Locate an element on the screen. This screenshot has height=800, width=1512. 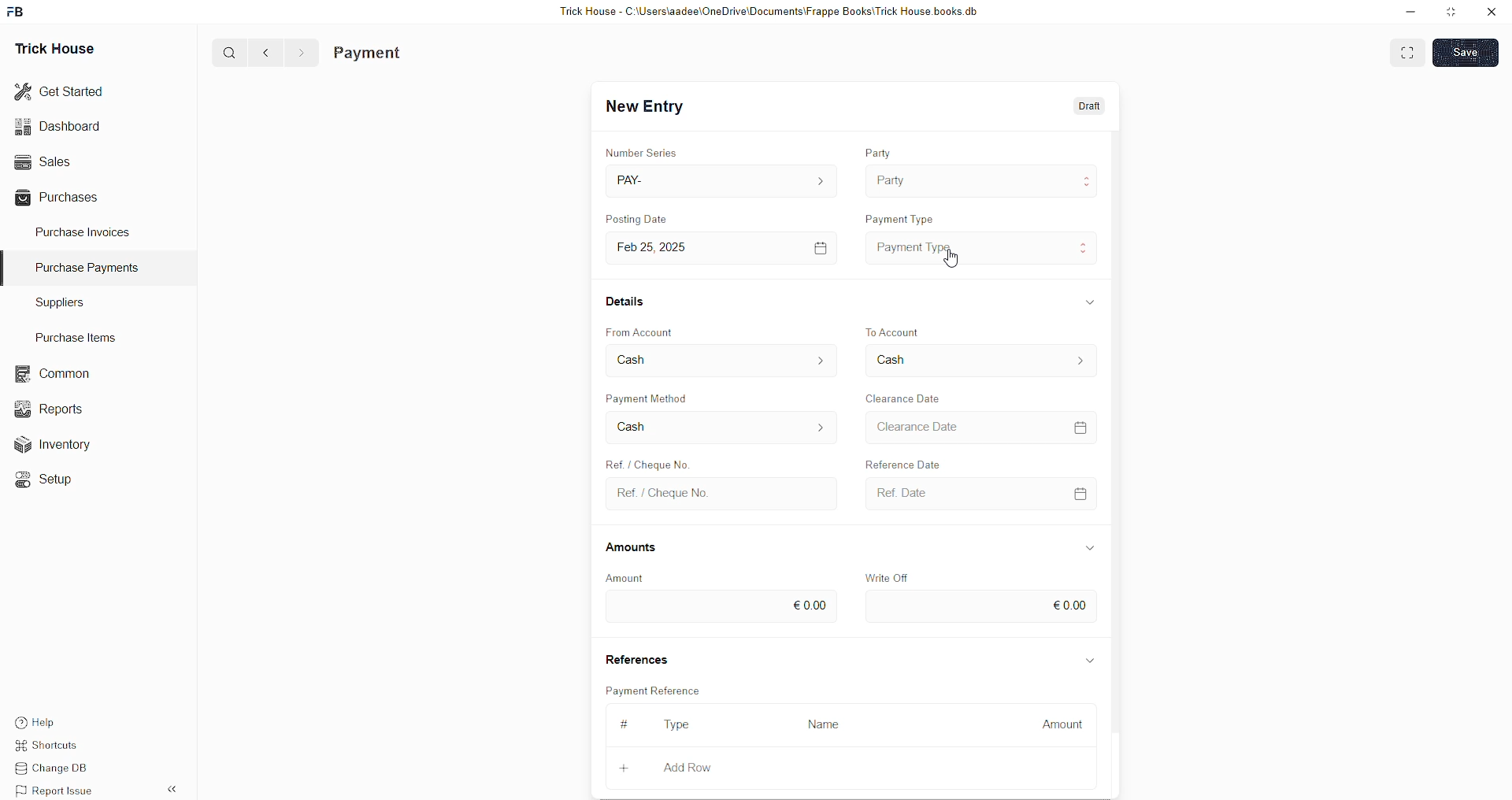
Clearance Date is located at coordinates (925, 428).